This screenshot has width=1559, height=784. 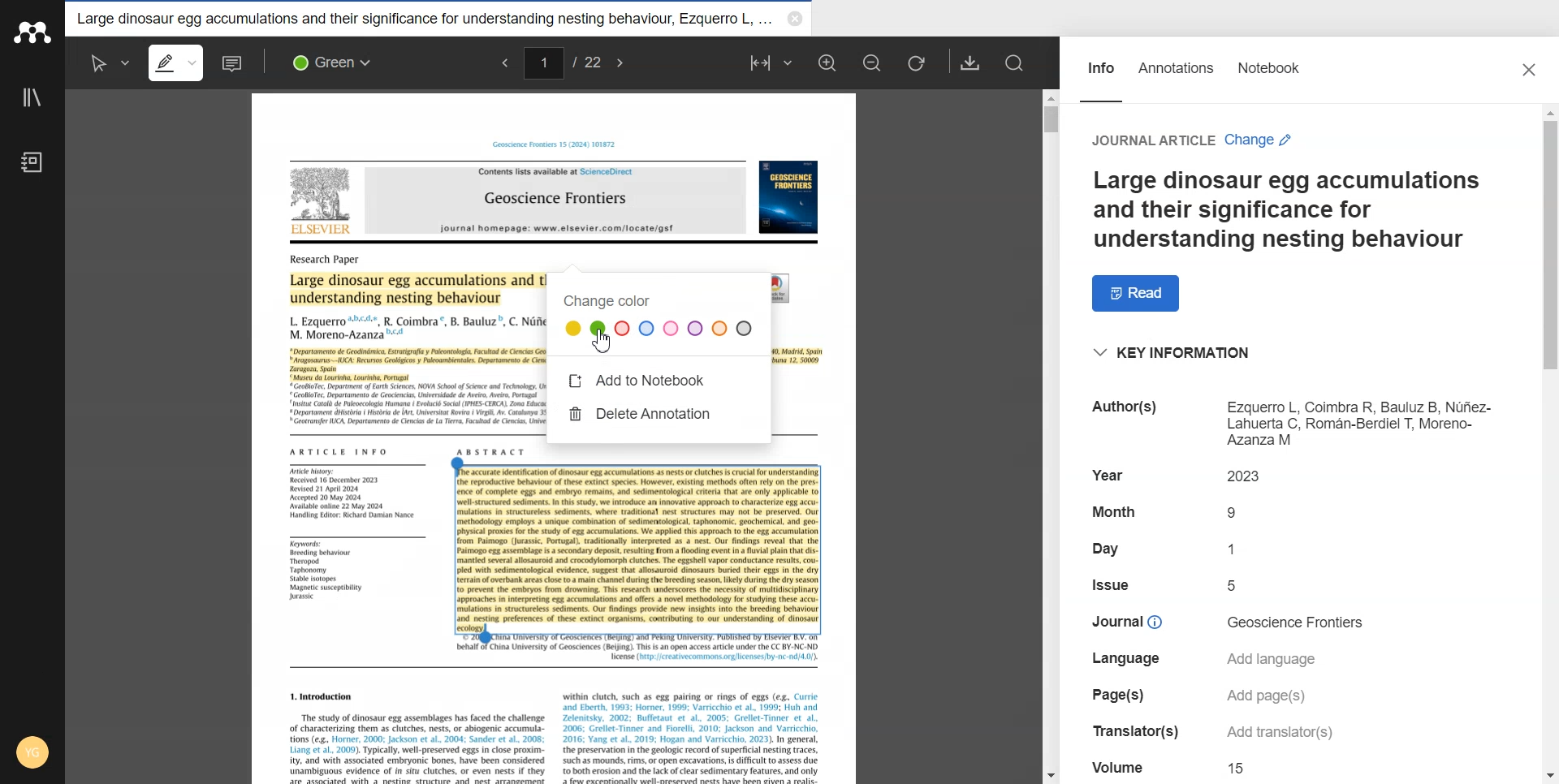 What do you see at coordinates (30, 754) in the screenshot?
I see `Account` at bounding box center [30, 754].